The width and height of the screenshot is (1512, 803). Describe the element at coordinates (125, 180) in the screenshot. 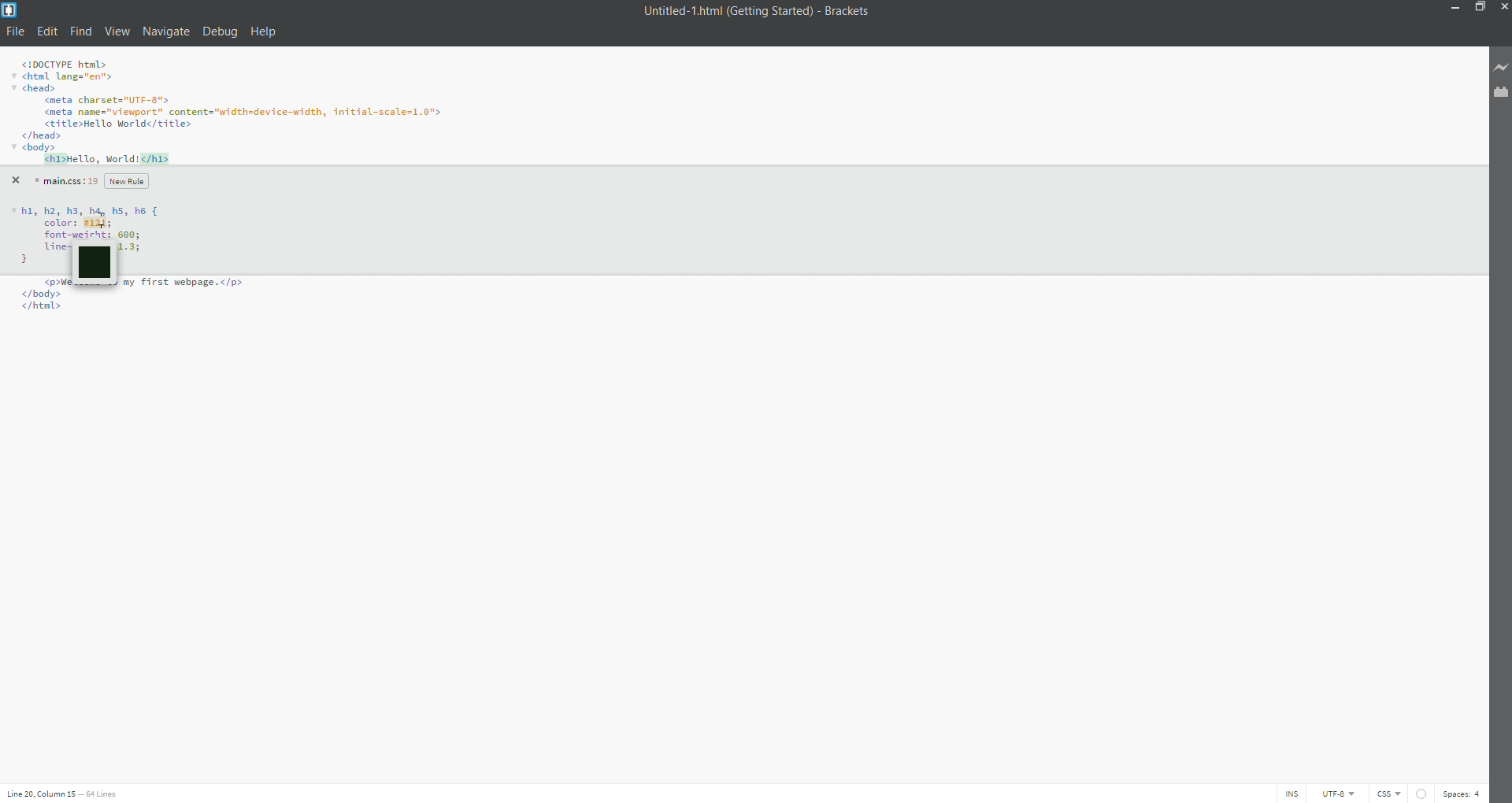

I see `new rule` at that location.